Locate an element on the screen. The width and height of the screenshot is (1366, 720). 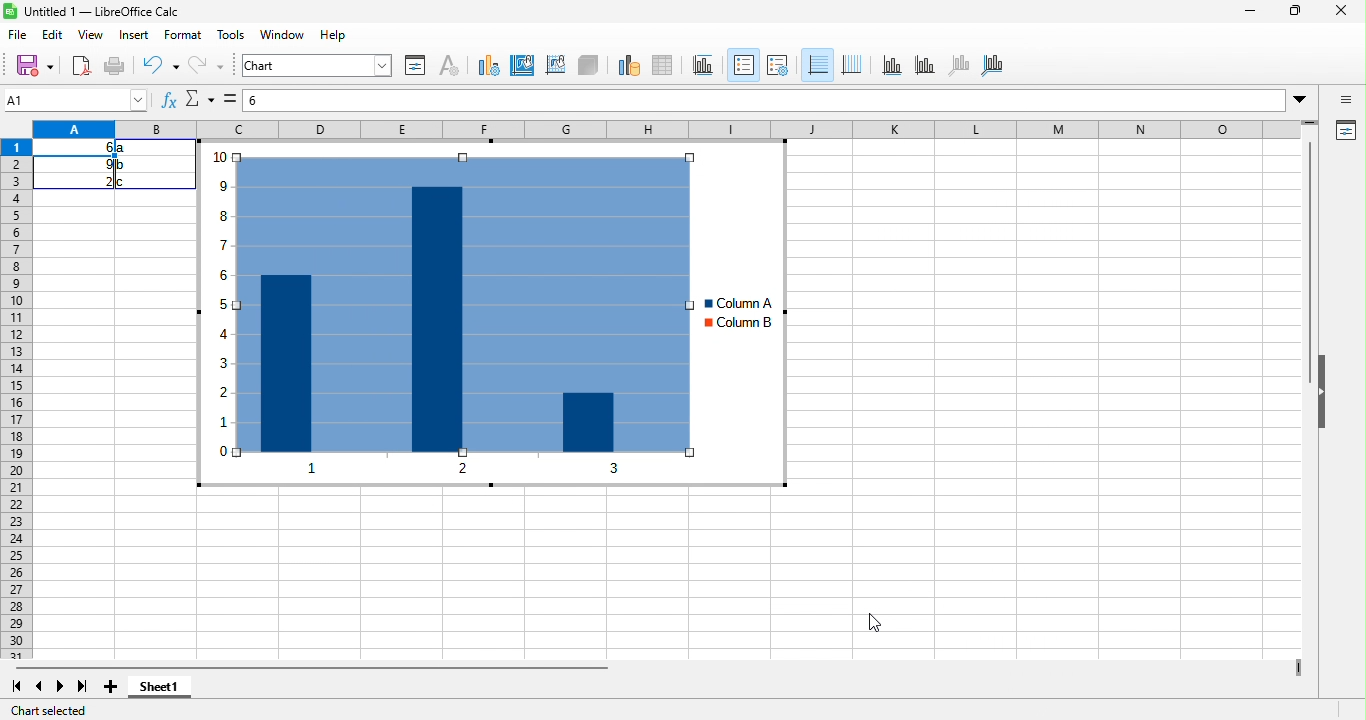
x axis is located at coordinates (514, 470).